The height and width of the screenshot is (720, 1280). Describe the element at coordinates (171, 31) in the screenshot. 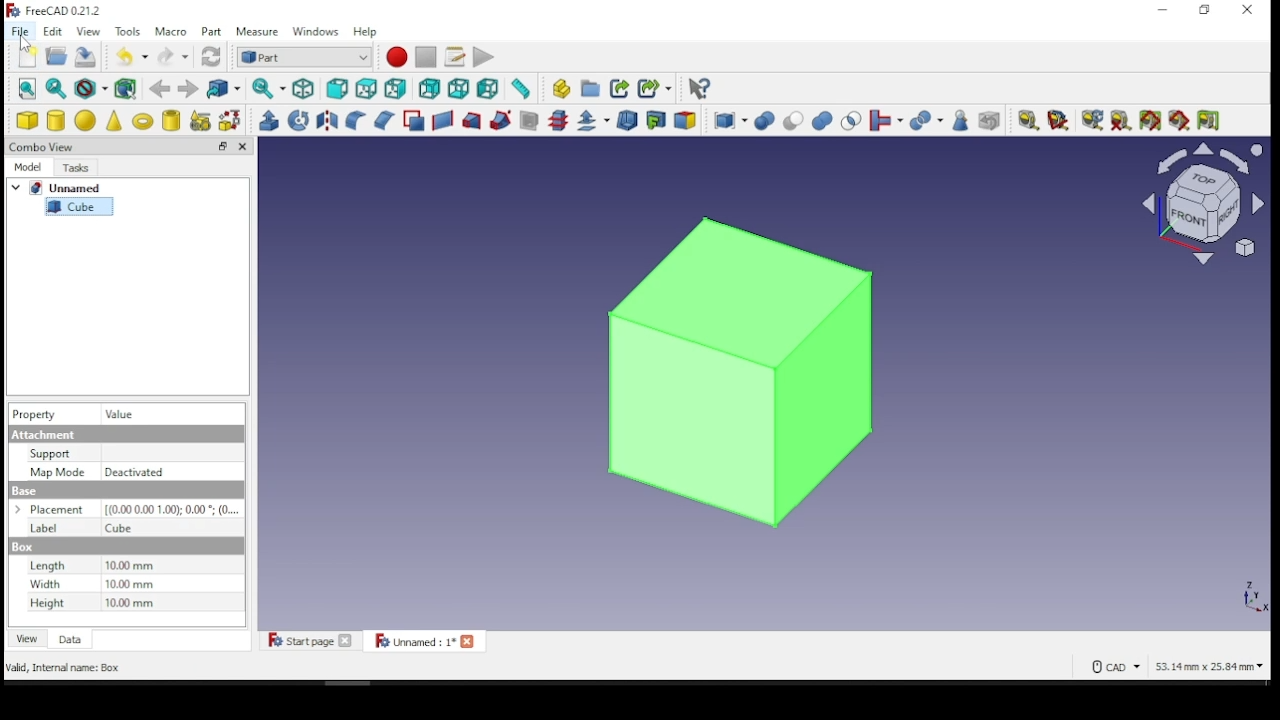

I see `macro` at that location.